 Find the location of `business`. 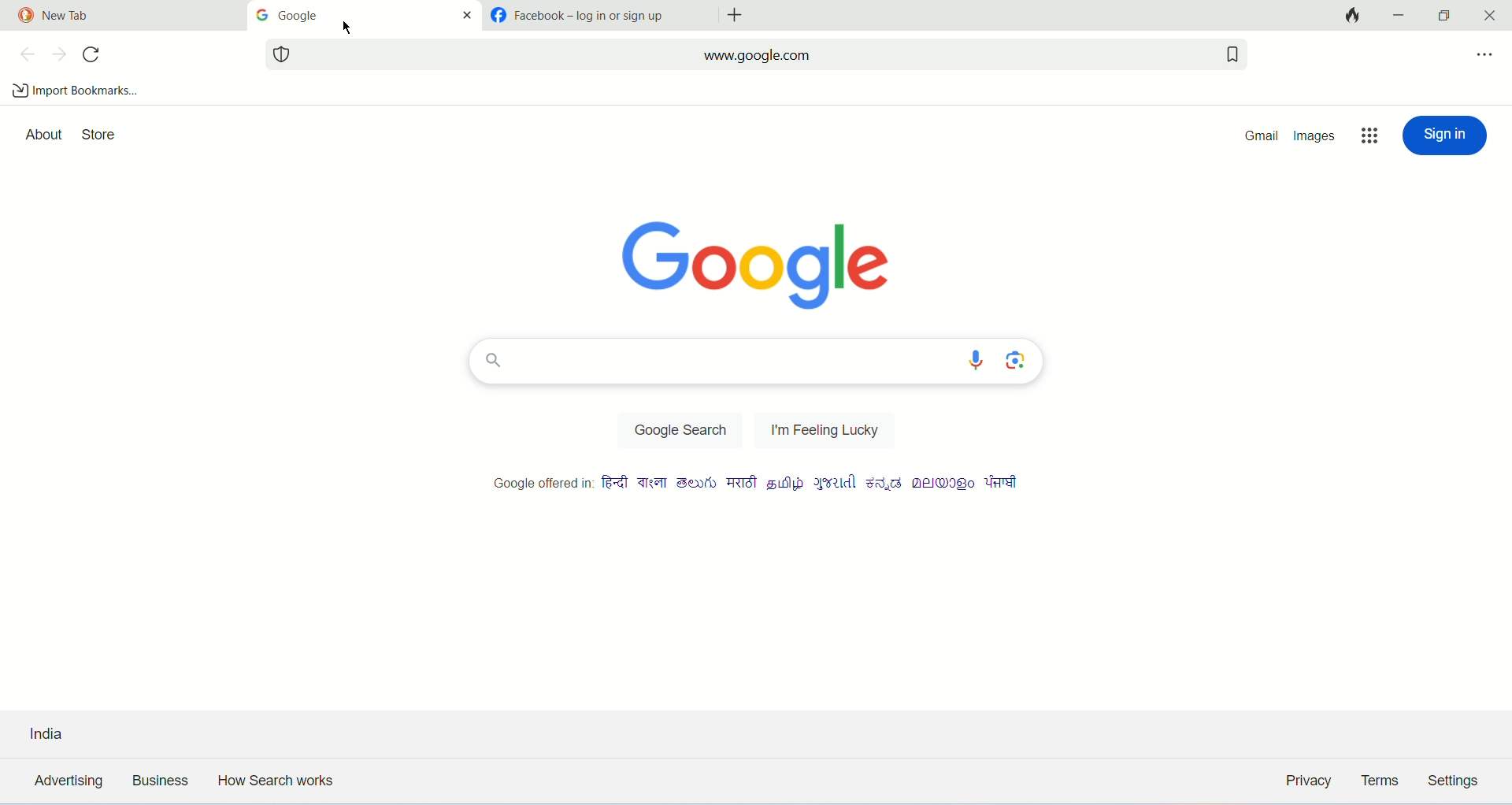

business is located at coordinates (157, 781).